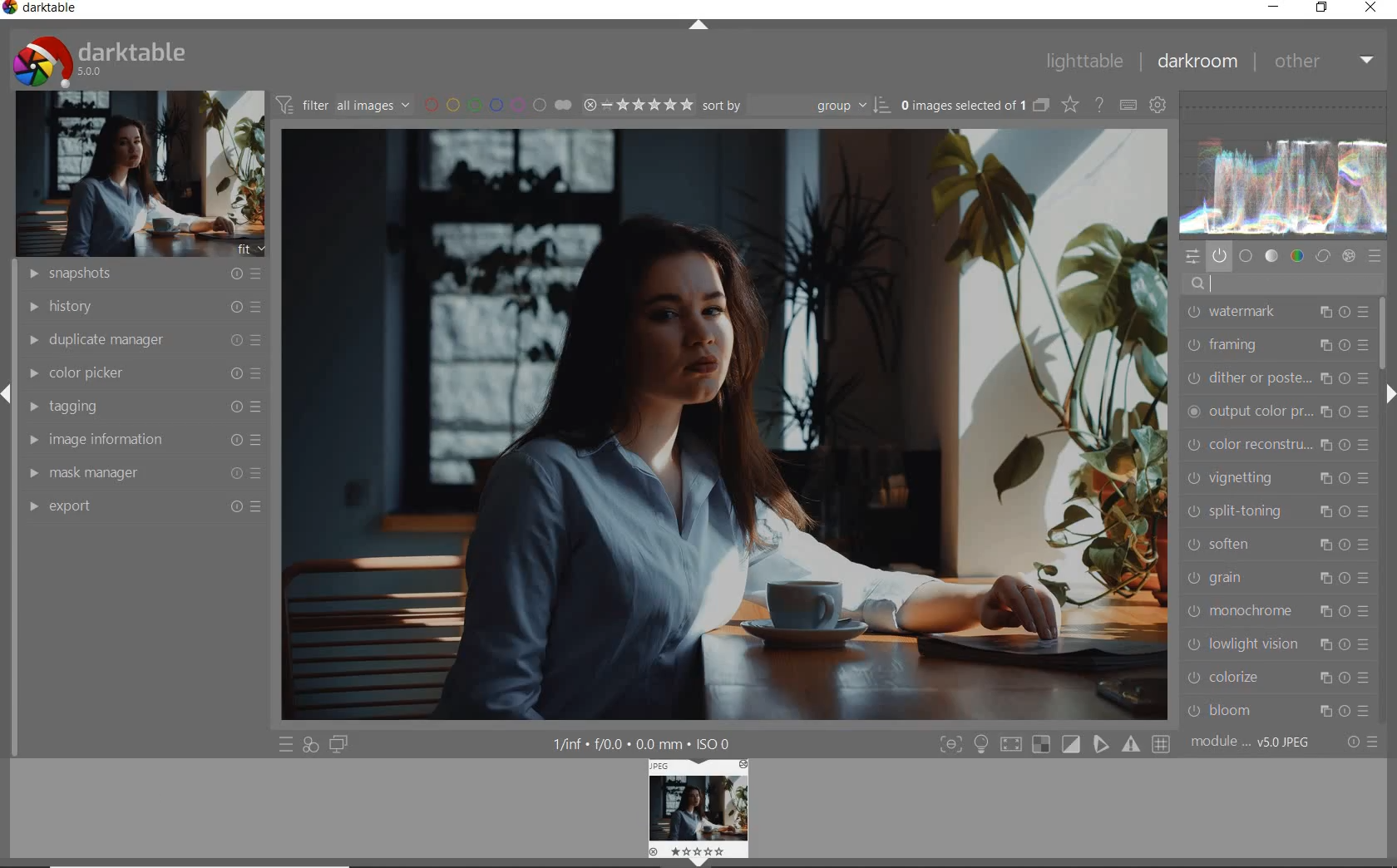 The image size is (1397, 868). Describe the element at coordinates (1274, 7) in the screenshot. I see `minimize` at that location.